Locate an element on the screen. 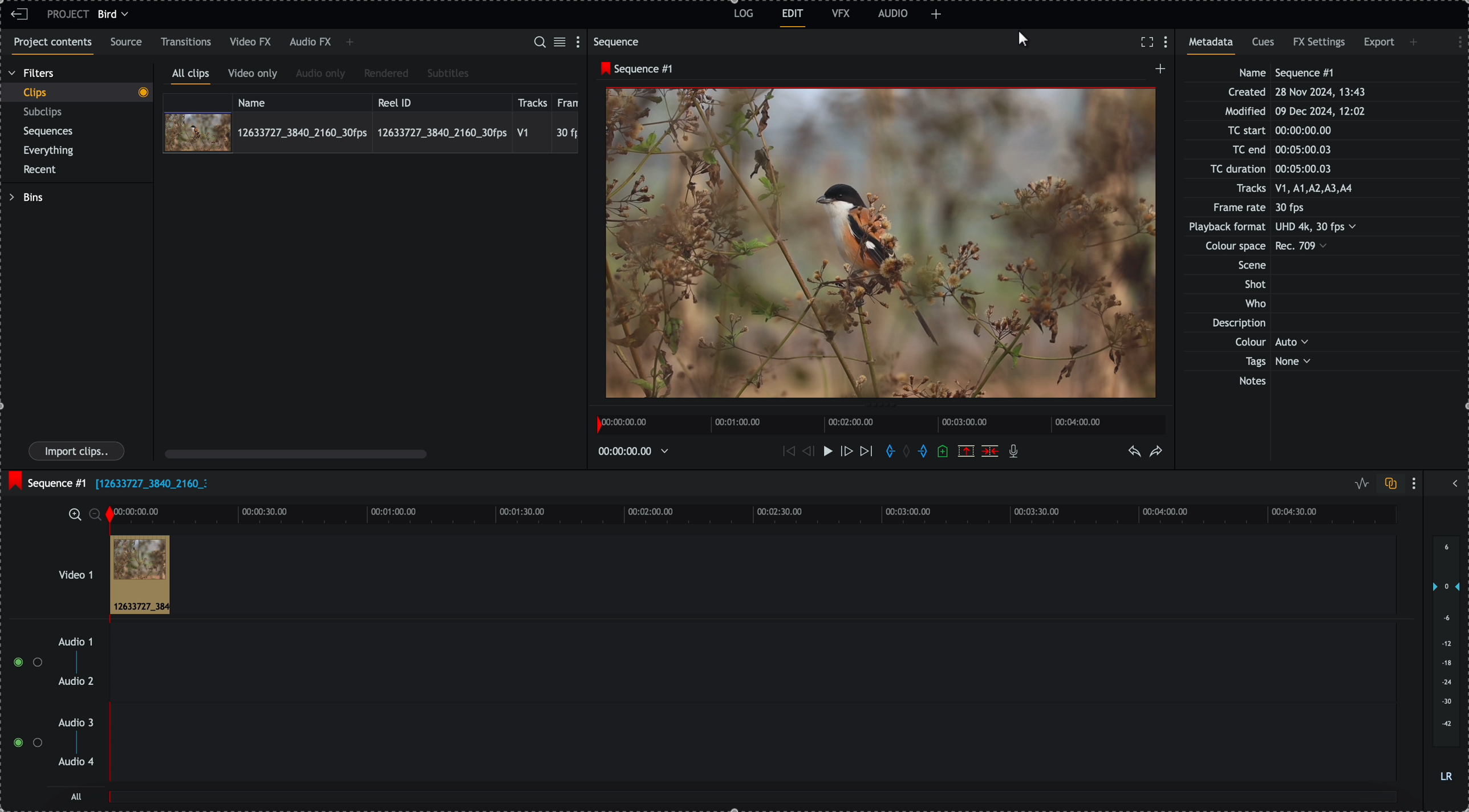 The height and width of the screenshot is (812, 1469). add a cue at the current position is located at coordinates (944, 452).